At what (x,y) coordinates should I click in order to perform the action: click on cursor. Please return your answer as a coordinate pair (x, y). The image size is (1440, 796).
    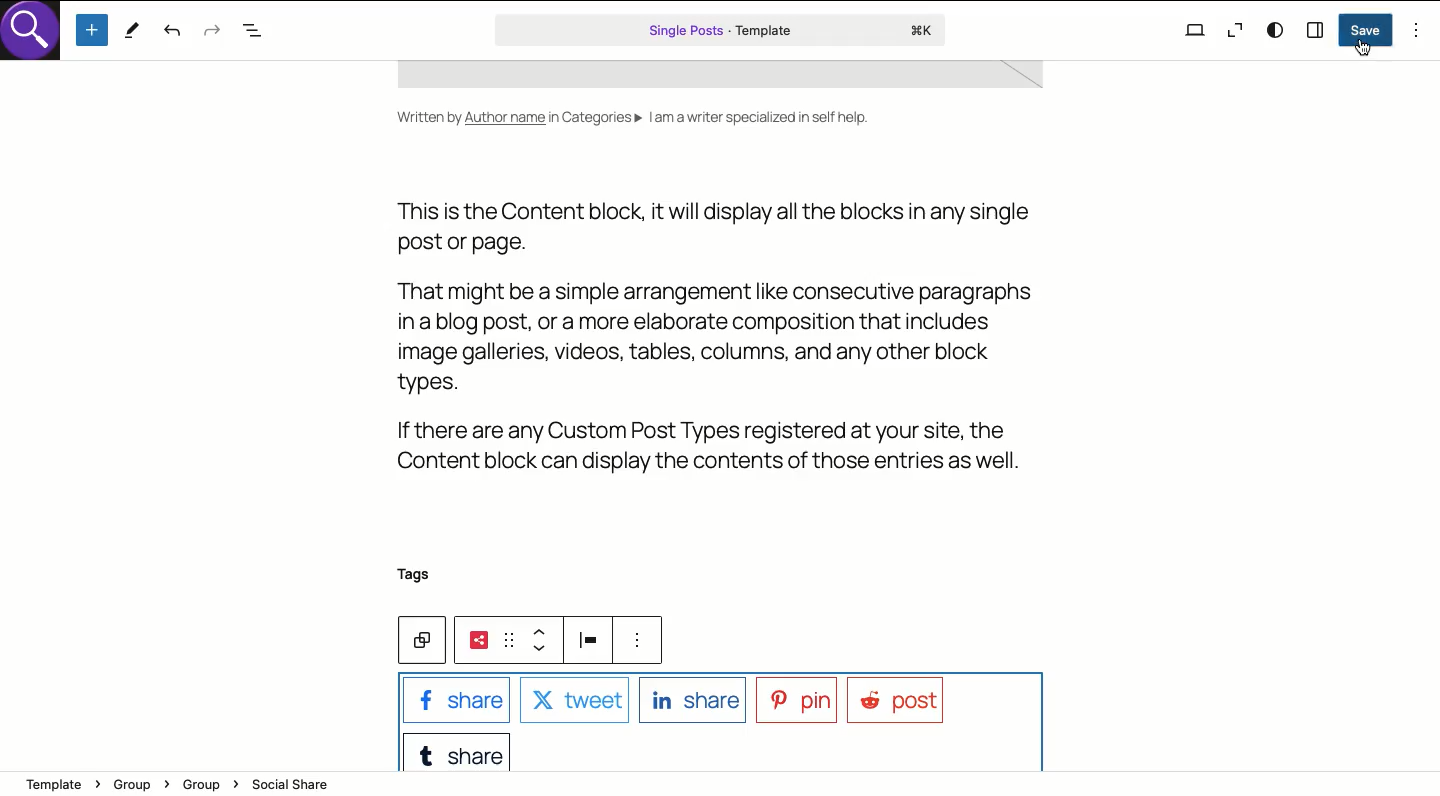
    Looking at the image, I should click on (1367, 49).